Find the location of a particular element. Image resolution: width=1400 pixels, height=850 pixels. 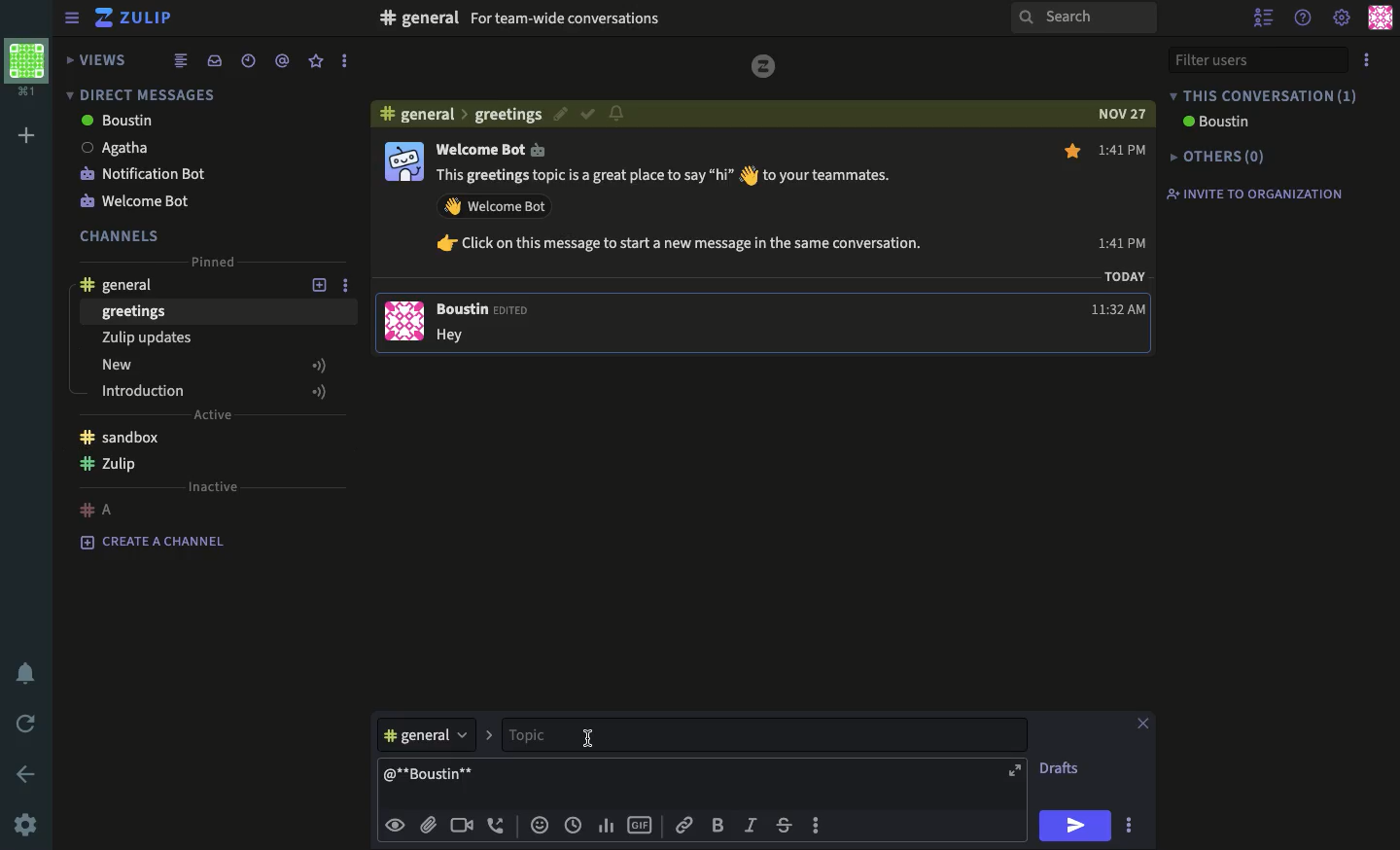

expand is located at coordinates (1014, 771).